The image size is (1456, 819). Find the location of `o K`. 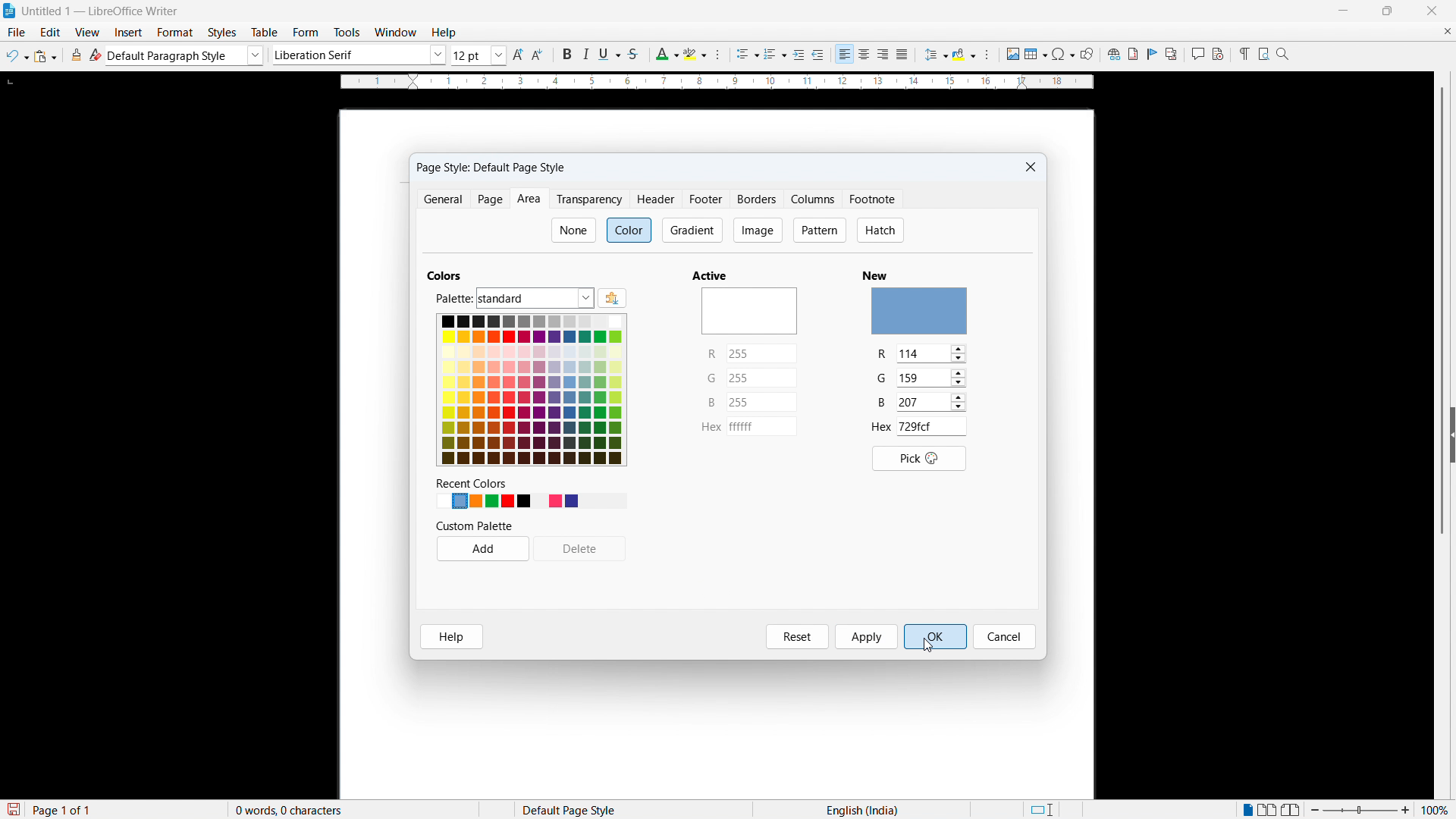

o K is located at coordinates (937, 637).